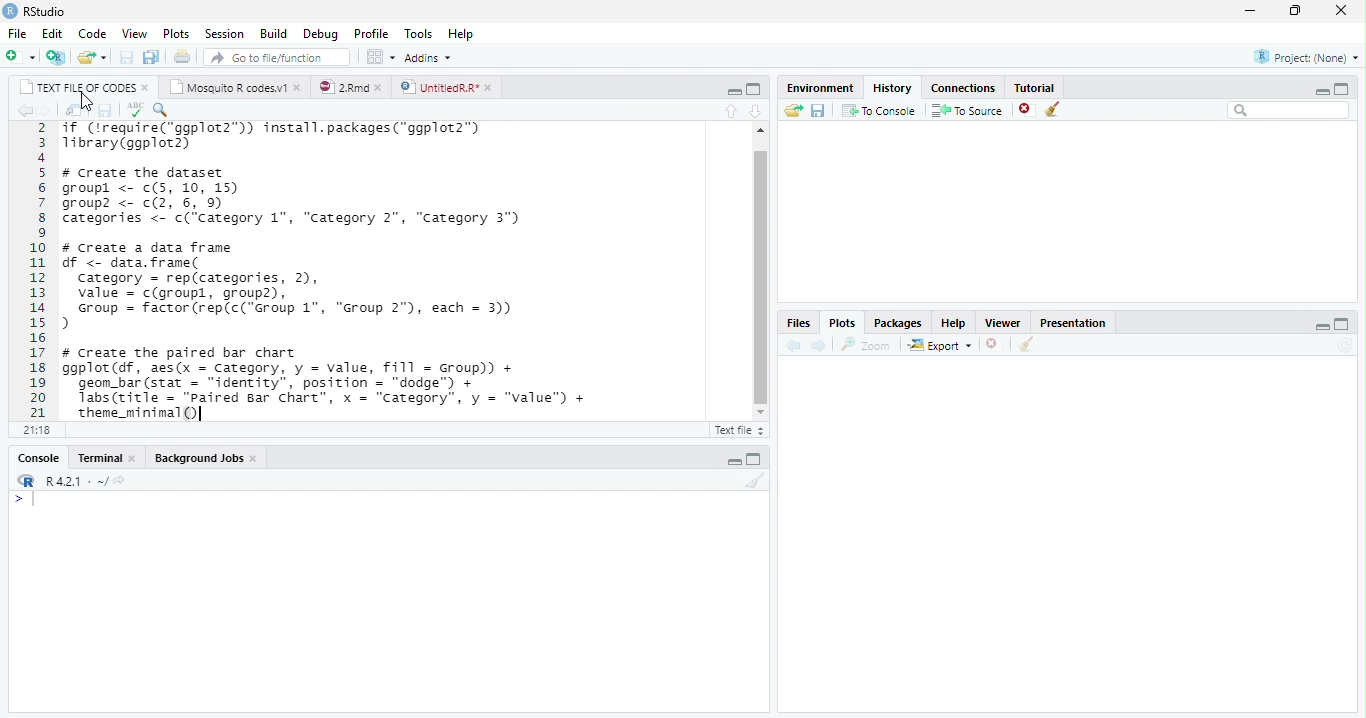 This screenshot has width=1366, height=718. I want to click on new file, so click(19, 56).